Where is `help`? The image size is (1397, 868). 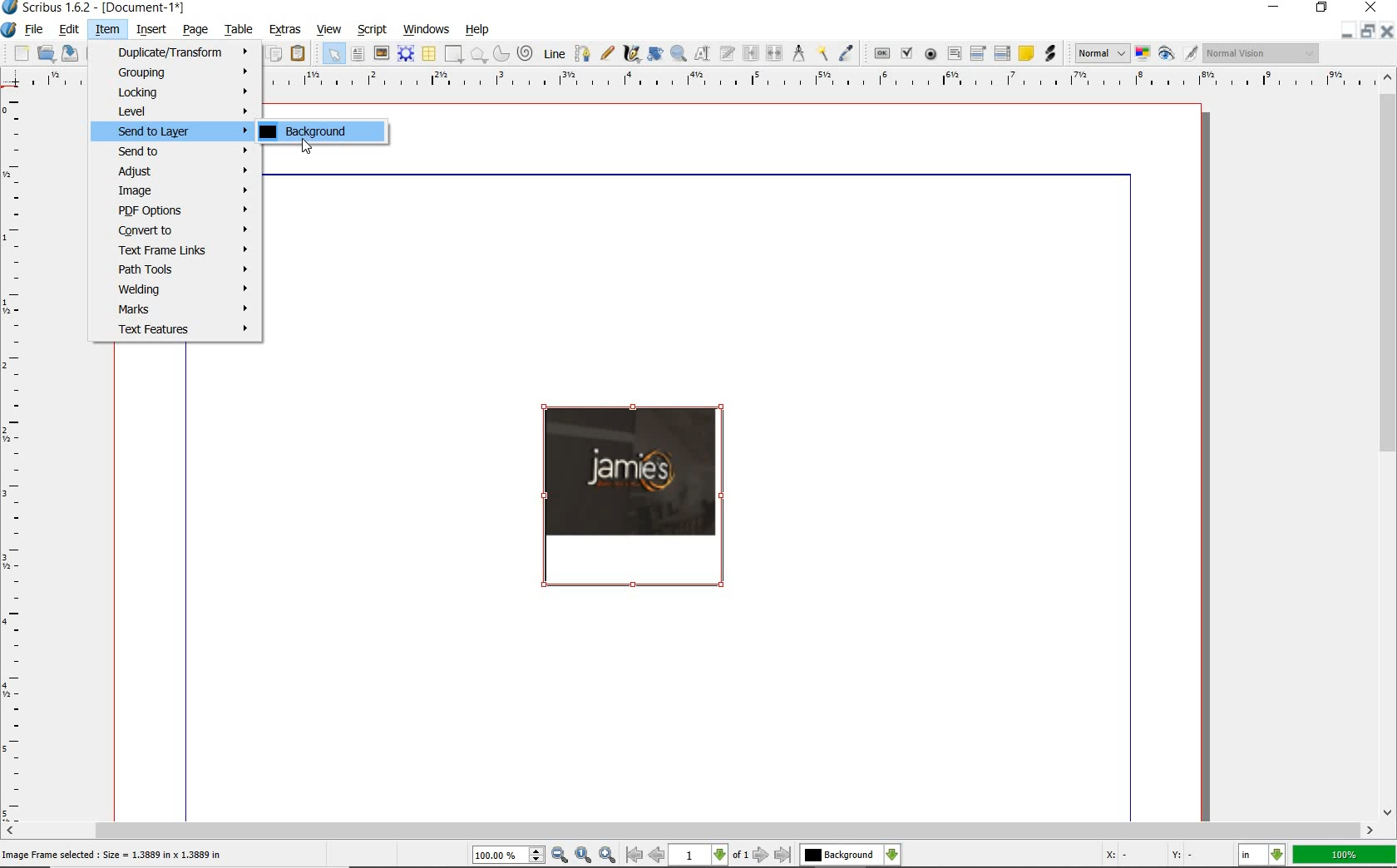 help is located at coordinates (476, 30).